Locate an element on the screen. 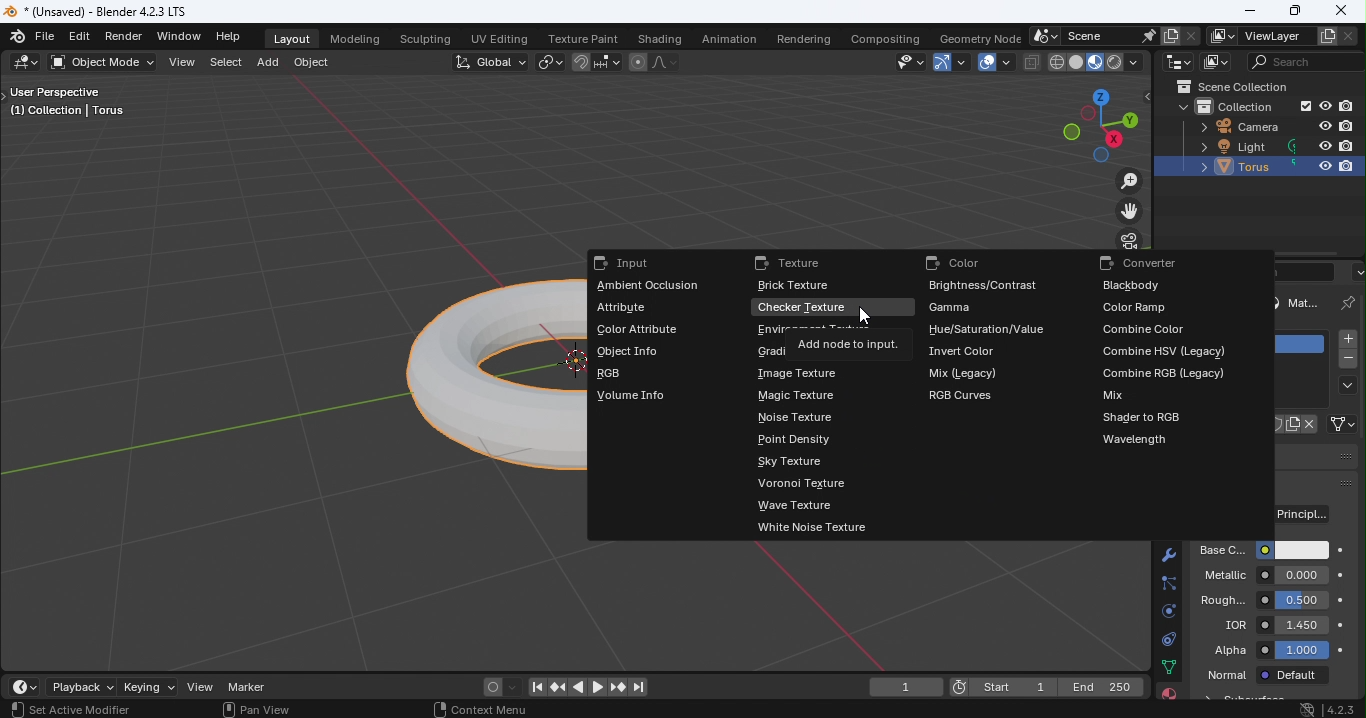 The width and height of the screenshot is (1366, 718). User perspective is located at coordinates (65, 104).